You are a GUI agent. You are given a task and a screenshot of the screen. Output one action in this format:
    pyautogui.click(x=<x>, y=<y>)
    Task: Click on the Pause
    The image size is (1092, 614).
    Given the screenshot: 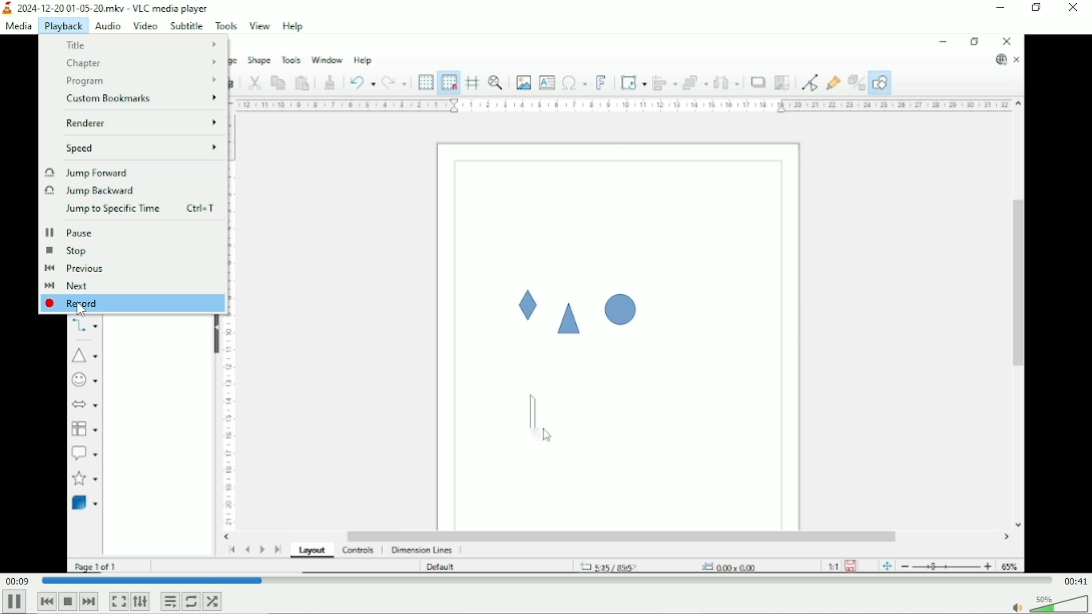 What is the action you would take?
    pyautogui.click(x=130, y=232)
    